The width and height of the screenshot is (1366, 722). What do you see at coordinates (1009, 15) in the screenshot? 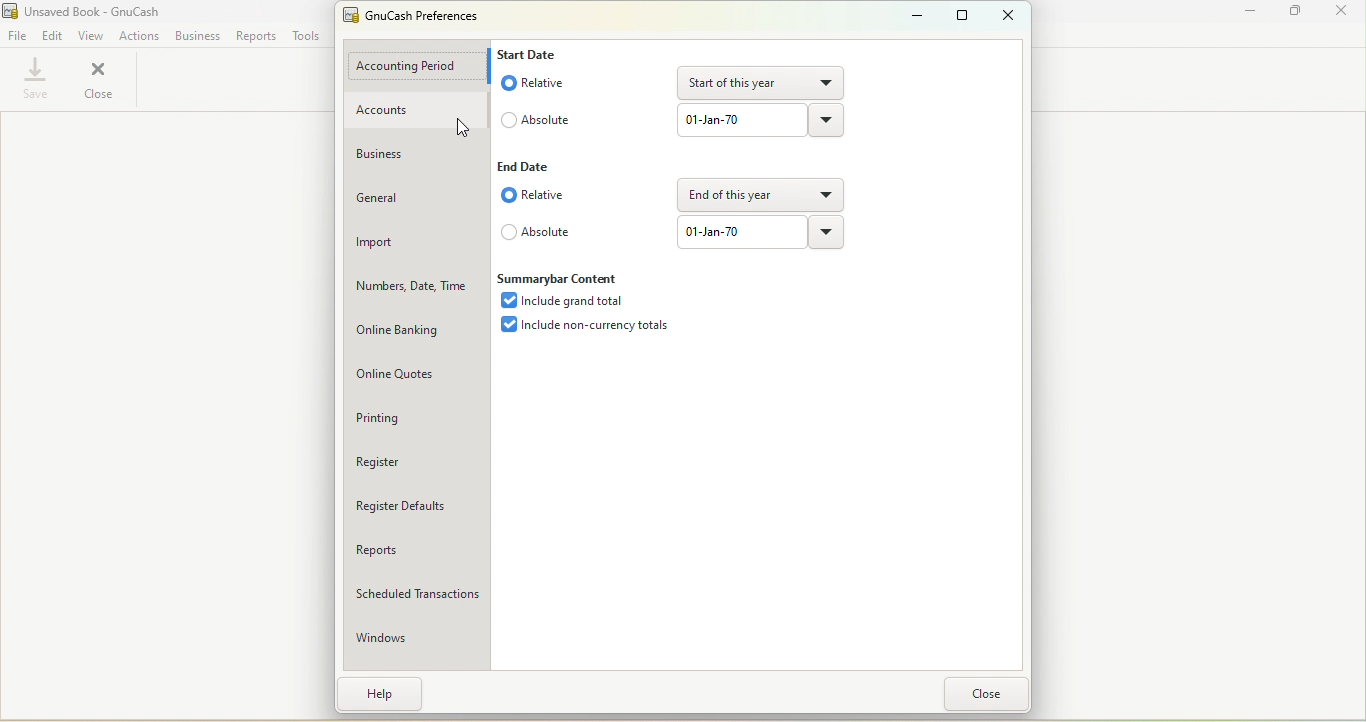
I see `Close` at bounding box center [1009, 15].